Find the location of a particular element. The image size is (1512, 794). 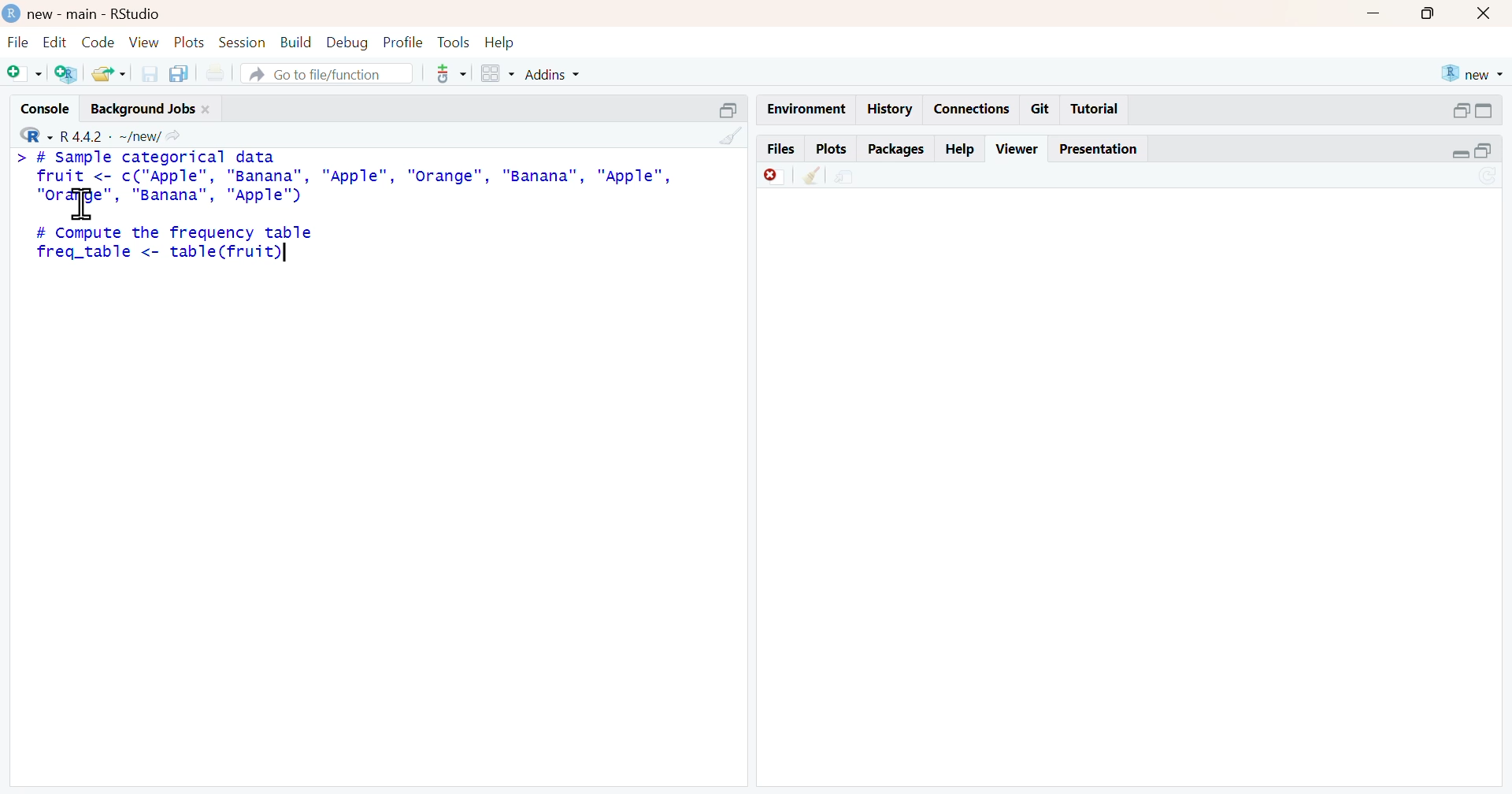

history is located at coordinates (889, 109).